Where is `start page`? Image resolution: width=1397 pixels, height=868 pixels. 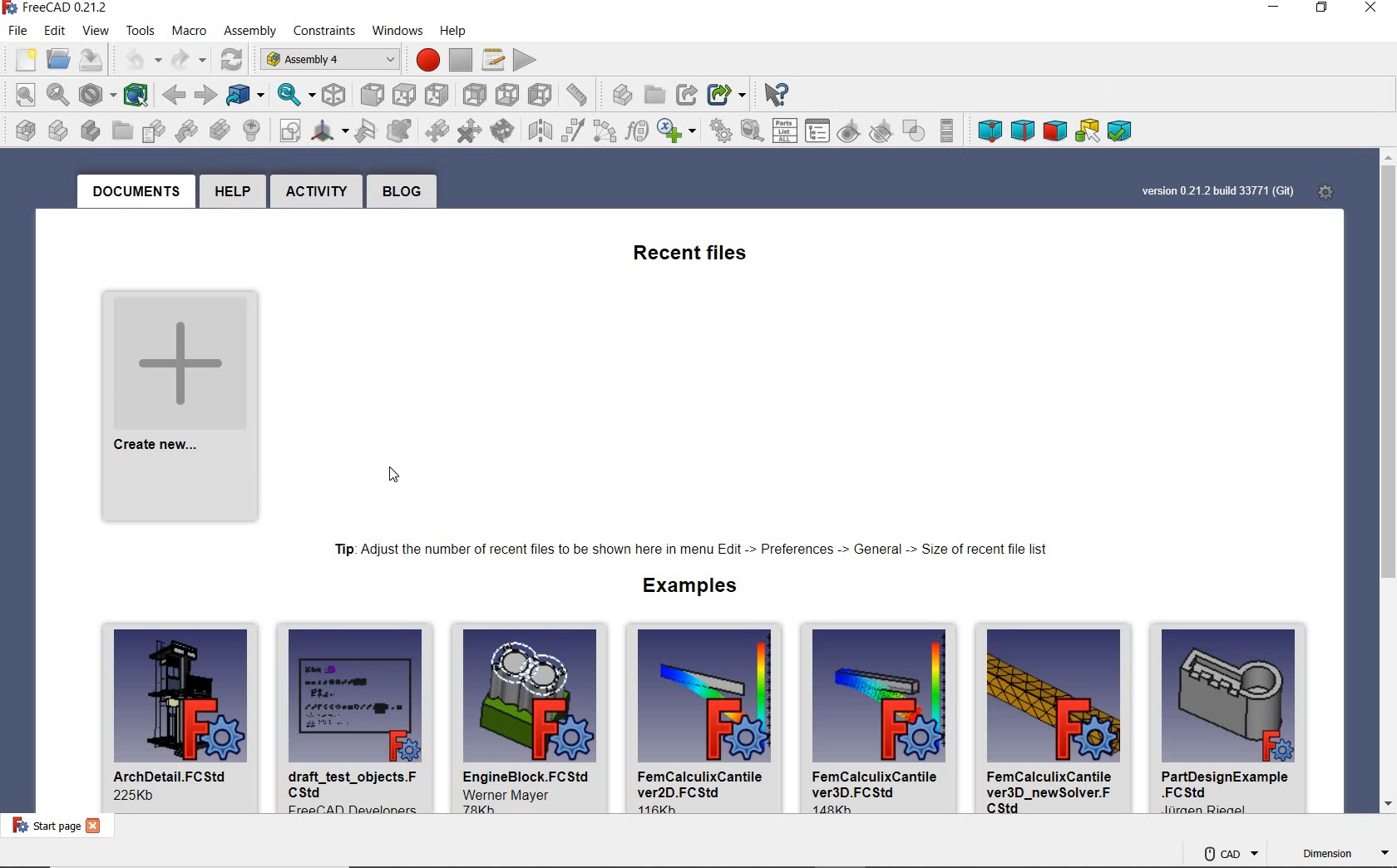
start page is located at coordinates (43, 827).